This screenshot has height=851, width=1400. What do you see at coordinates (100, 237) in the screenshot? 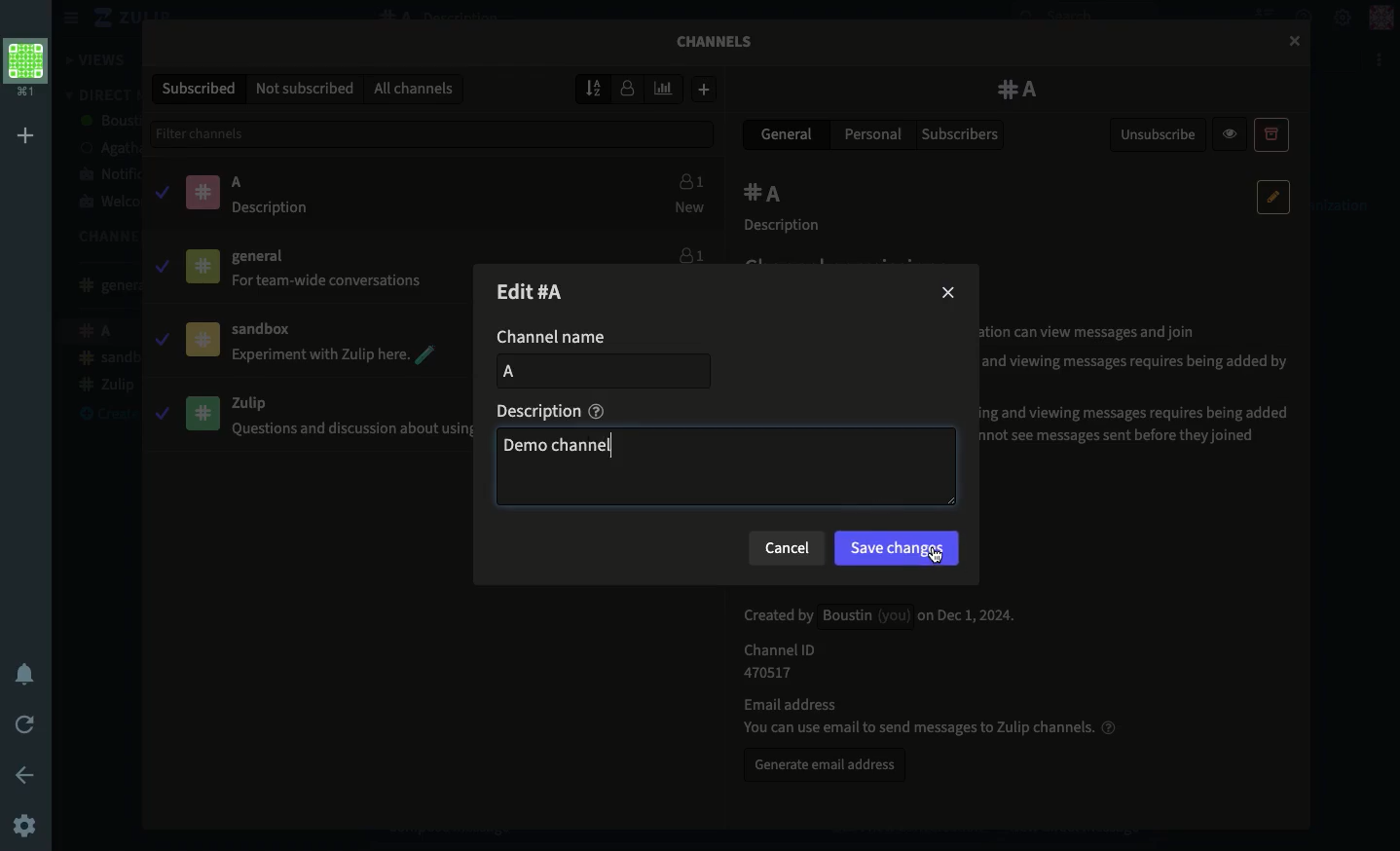
I see `Channels` at bounding box center [100, 237].